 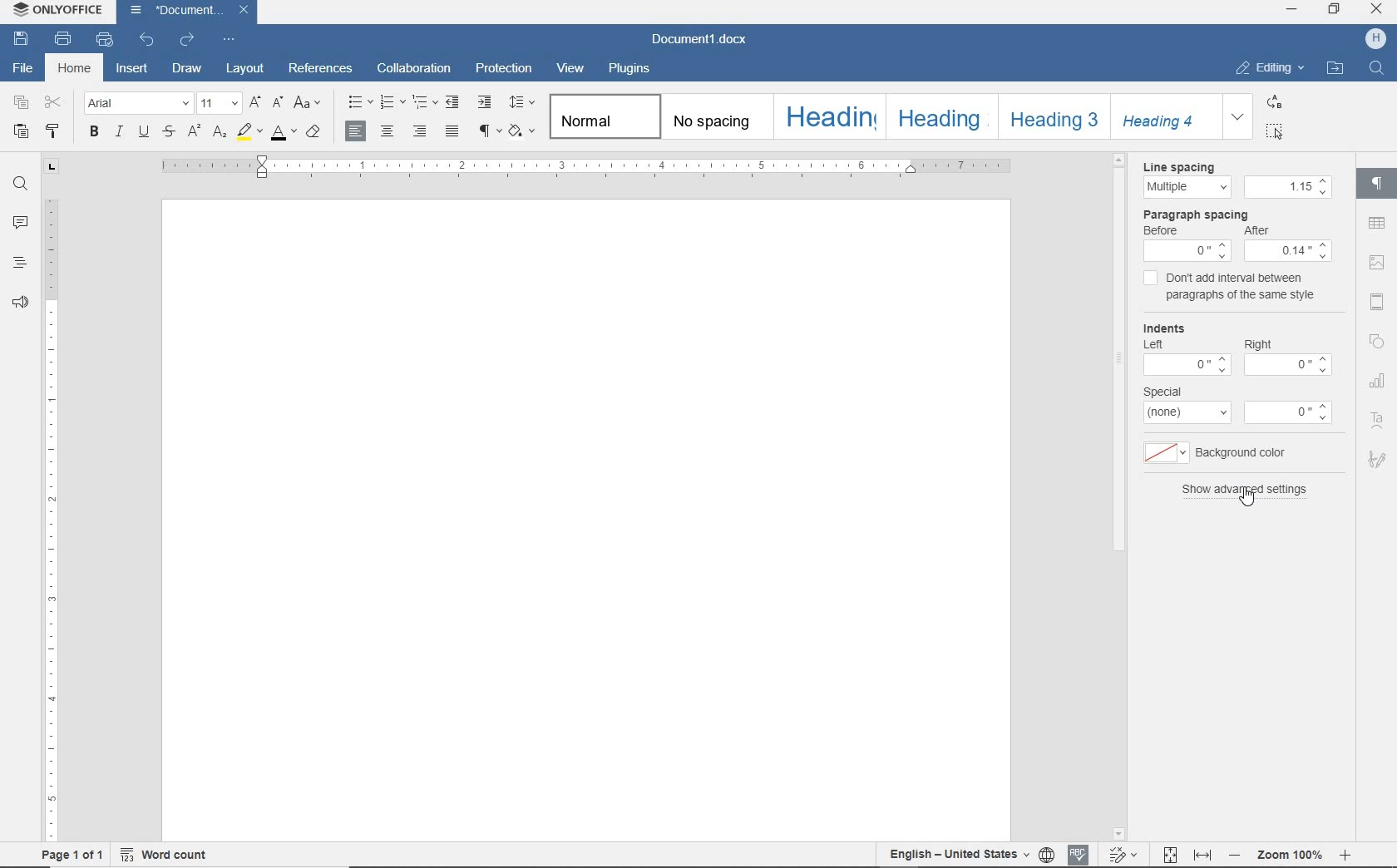 I want to click on REPLACE, so click(x=1274, y=102).